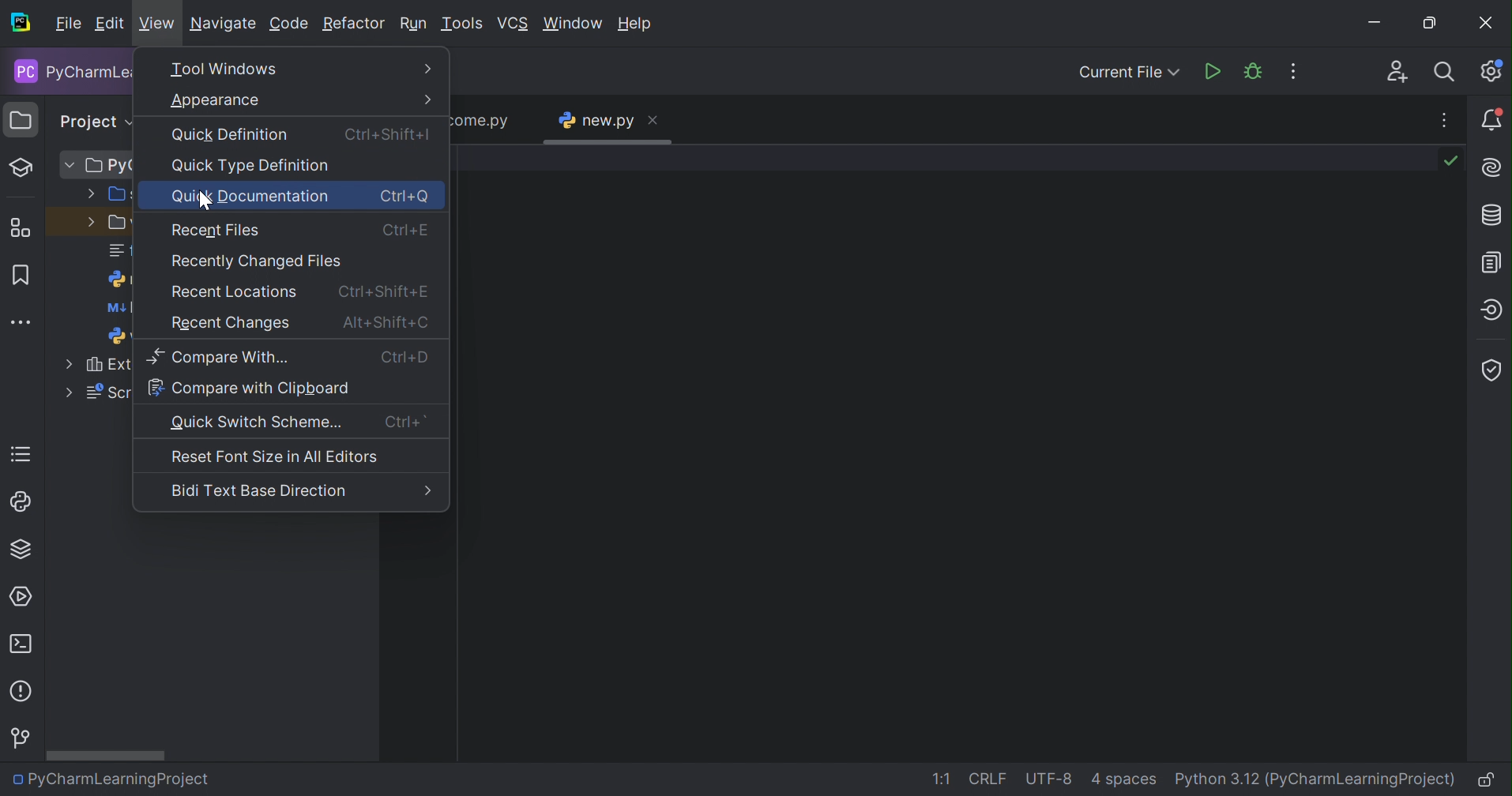 This screenshot has height=796, width=1512. I want to click on Python 3.12 (PyCharmLearningProject), so click(1319, 779).